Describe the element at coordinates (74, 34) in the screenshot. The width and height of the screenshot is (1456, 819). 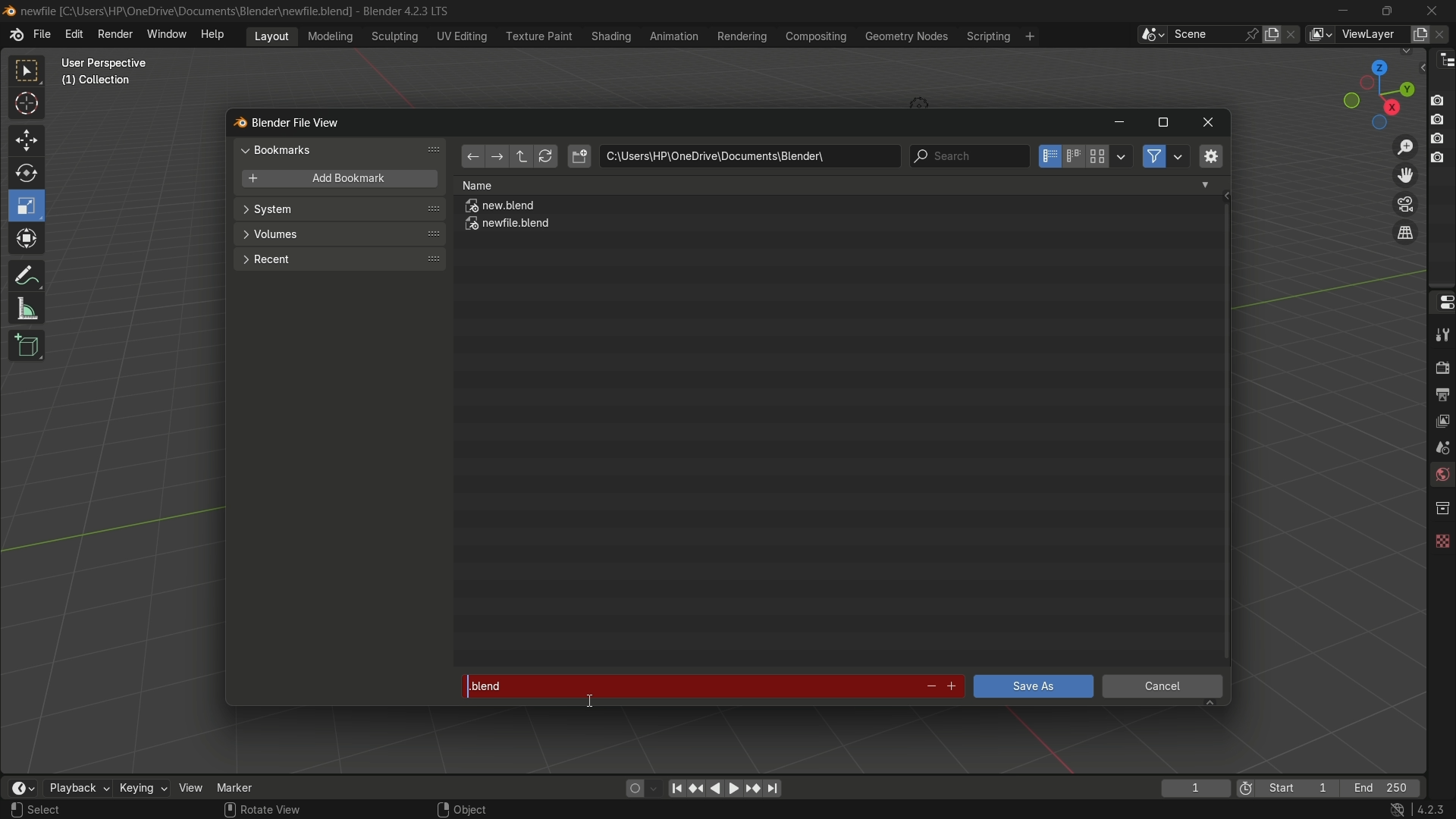
I see `edit menu` at that location.